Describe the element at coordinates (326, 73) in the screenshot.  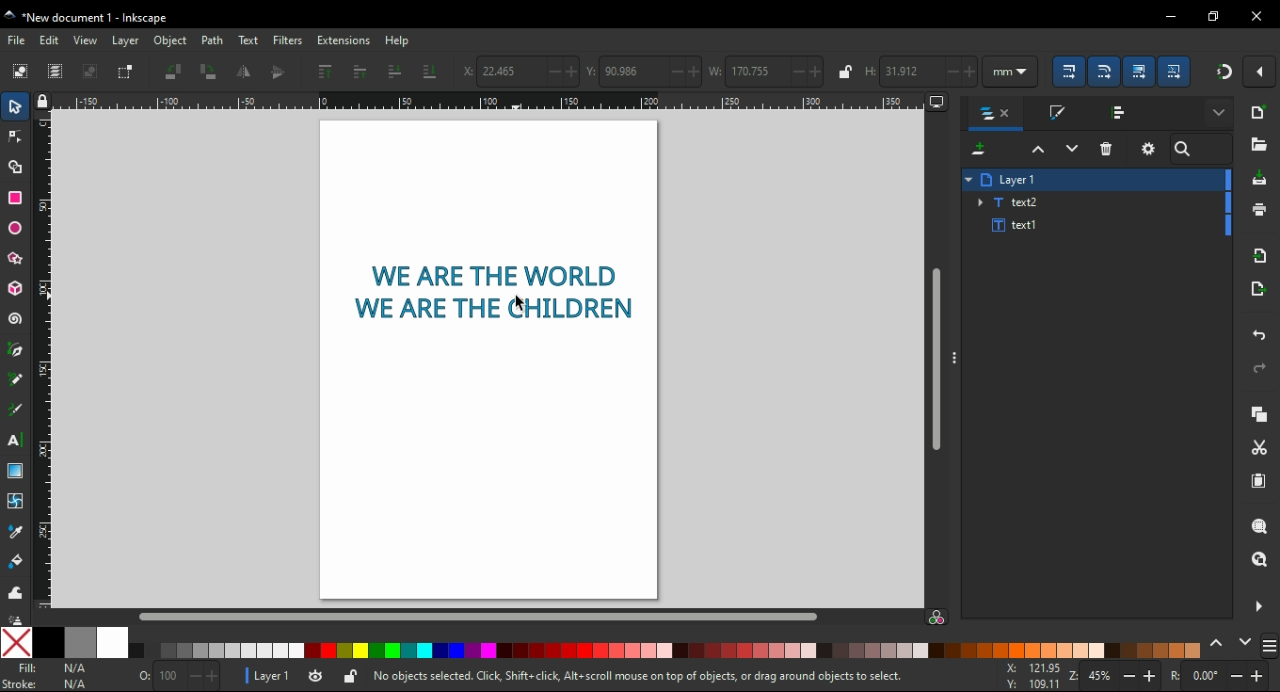
I see `raise to top` at that location.